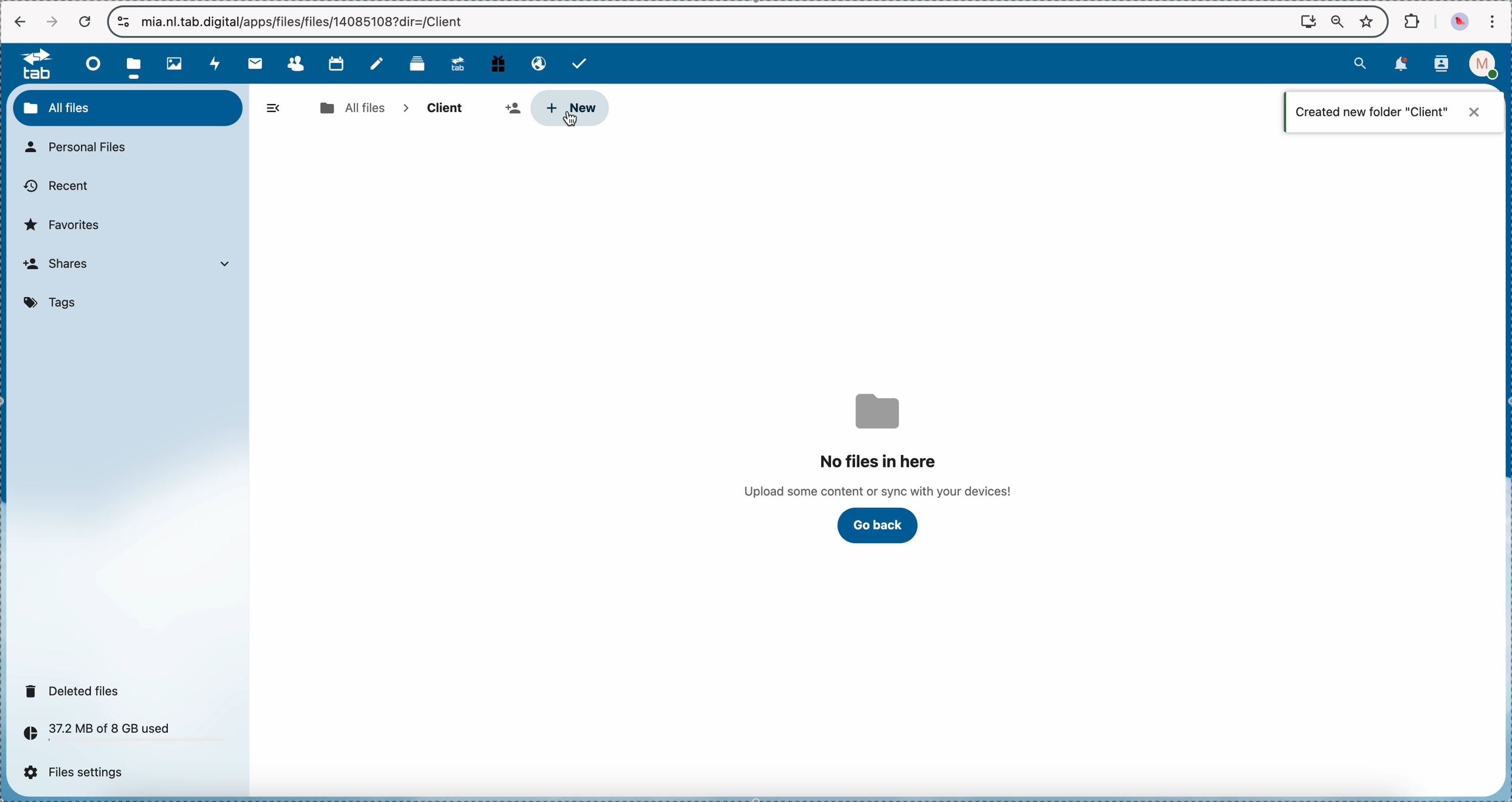  What do you see at coordinates (124, 22) in the screenshot?
I see `controls` at bounding box center [124, 22].